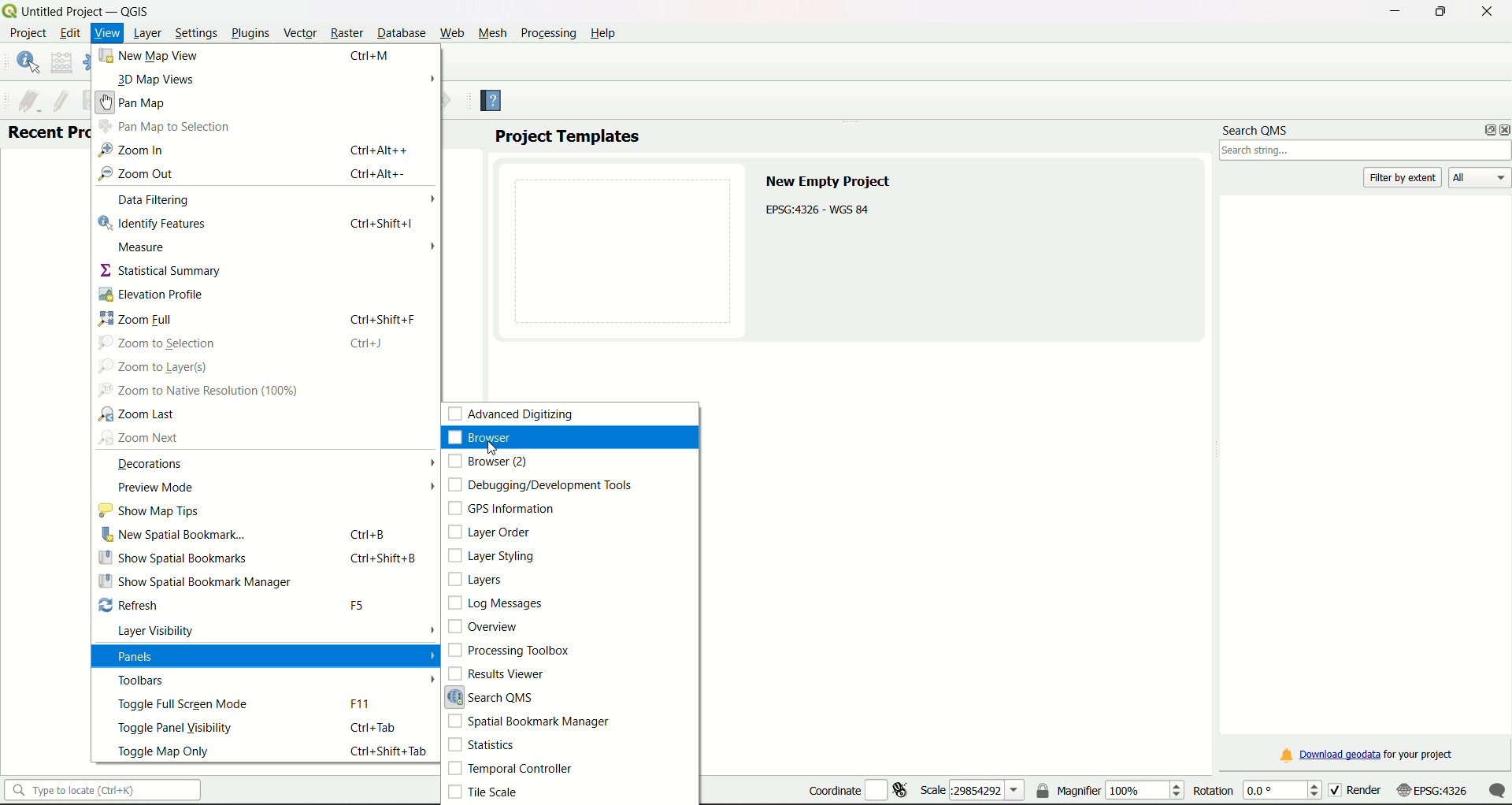 The image size is (1512, 805). I want to click on zoom next, so click(139, 438).